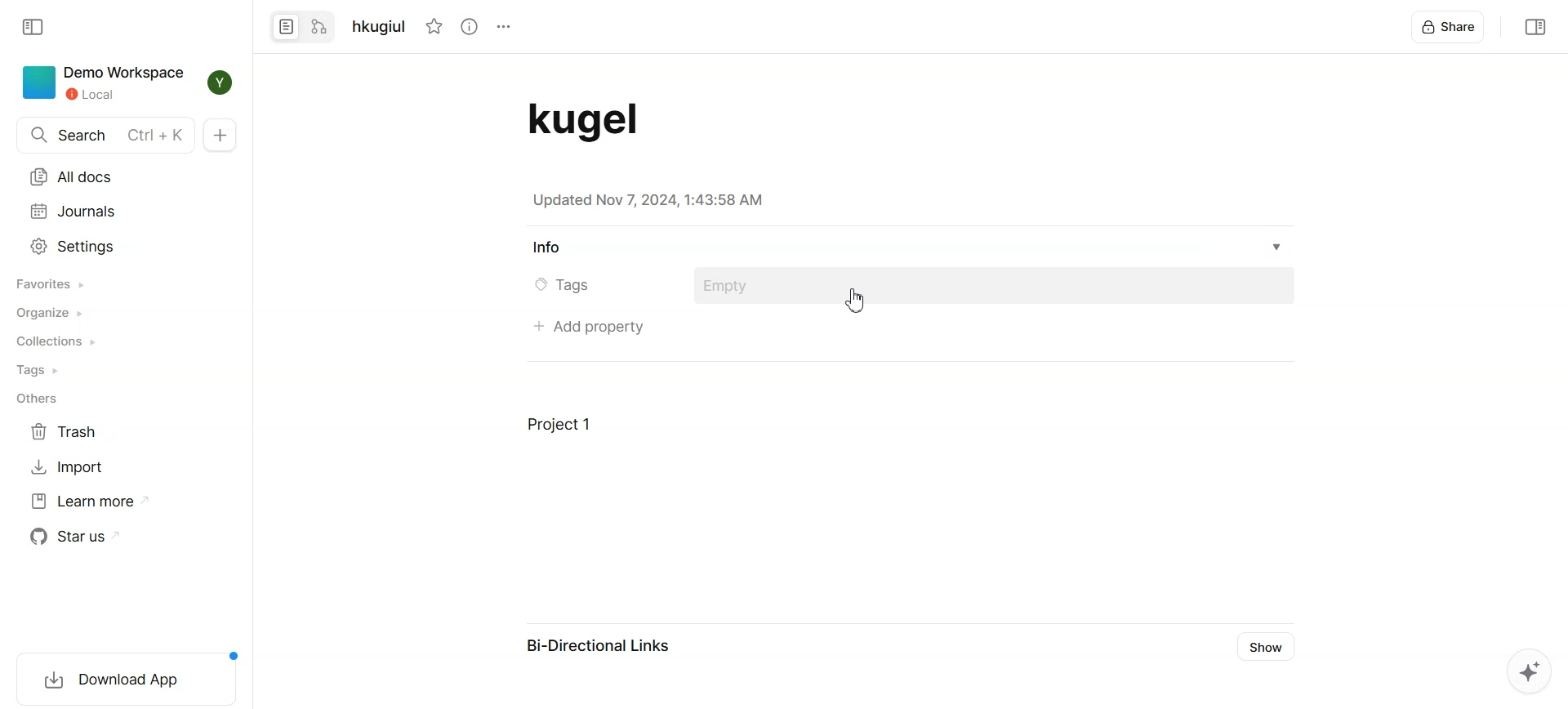 This screenshot has height=709, width=1568. What do you see at coordinates (74, 176) in the screenshot?
I see `All docs` at bounding box center [74, 176].